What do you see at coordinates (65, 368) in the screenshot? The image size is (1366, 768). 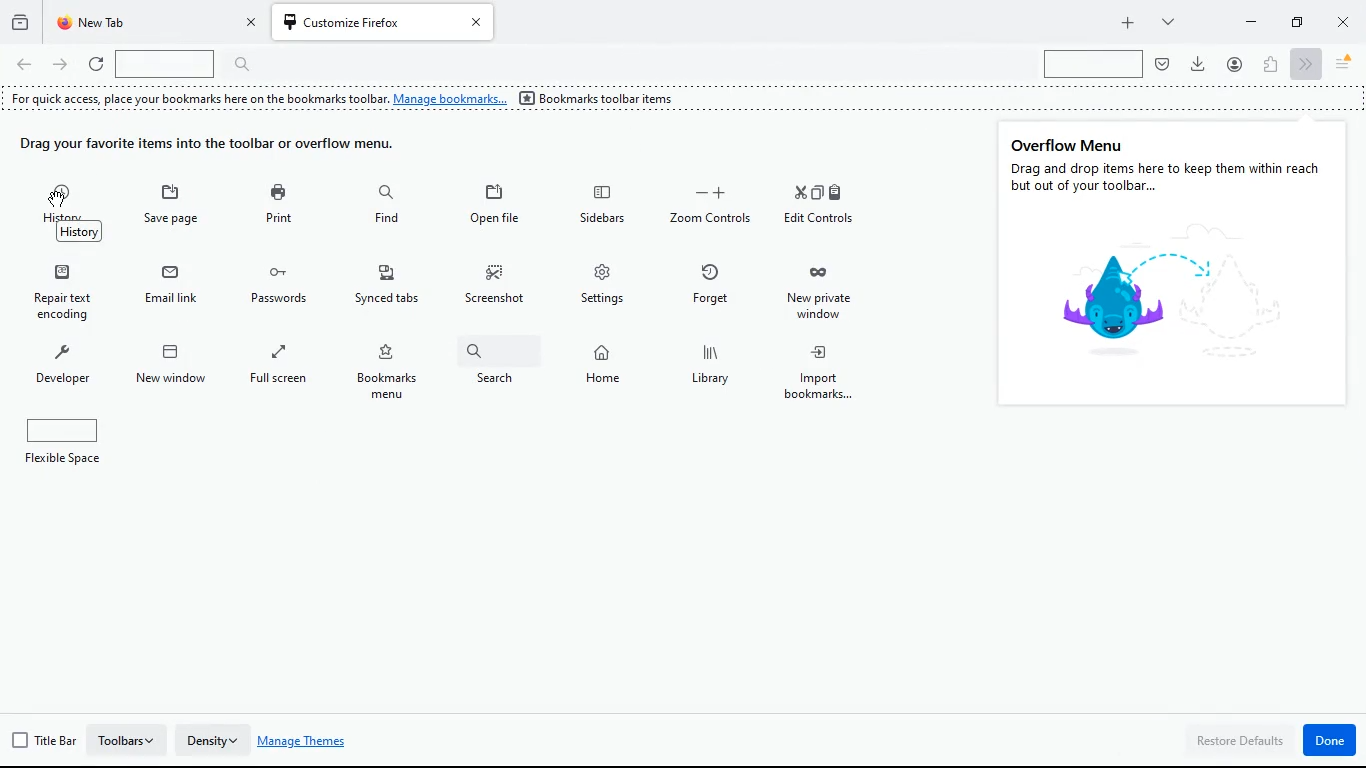 I see `developer` at bounding box center [65, 368].